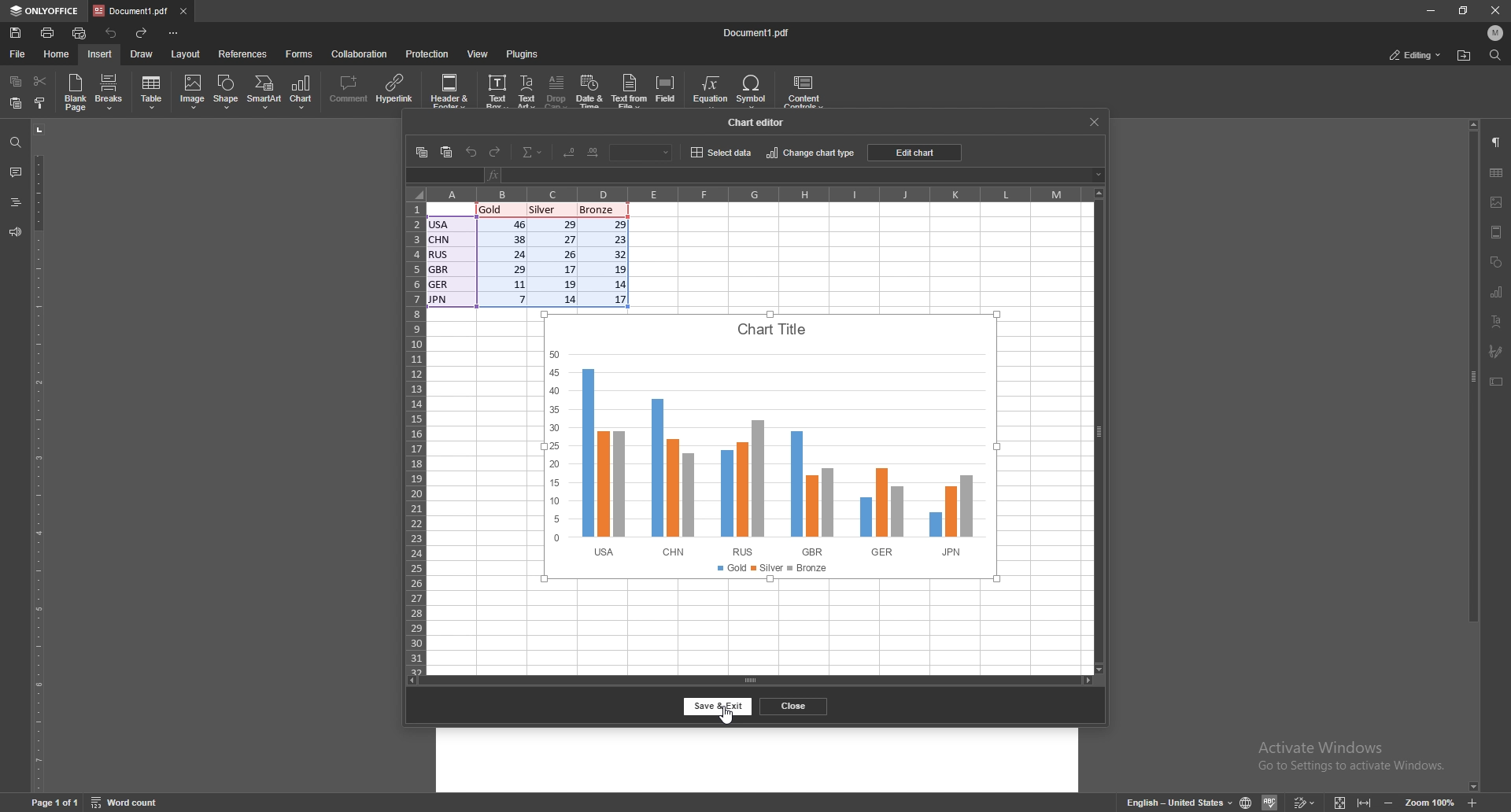 The height and width of the screenshot is (812, 1511). Describe the element at coordinates (1498, 292) in the screenshot. I see `chart` at that location.